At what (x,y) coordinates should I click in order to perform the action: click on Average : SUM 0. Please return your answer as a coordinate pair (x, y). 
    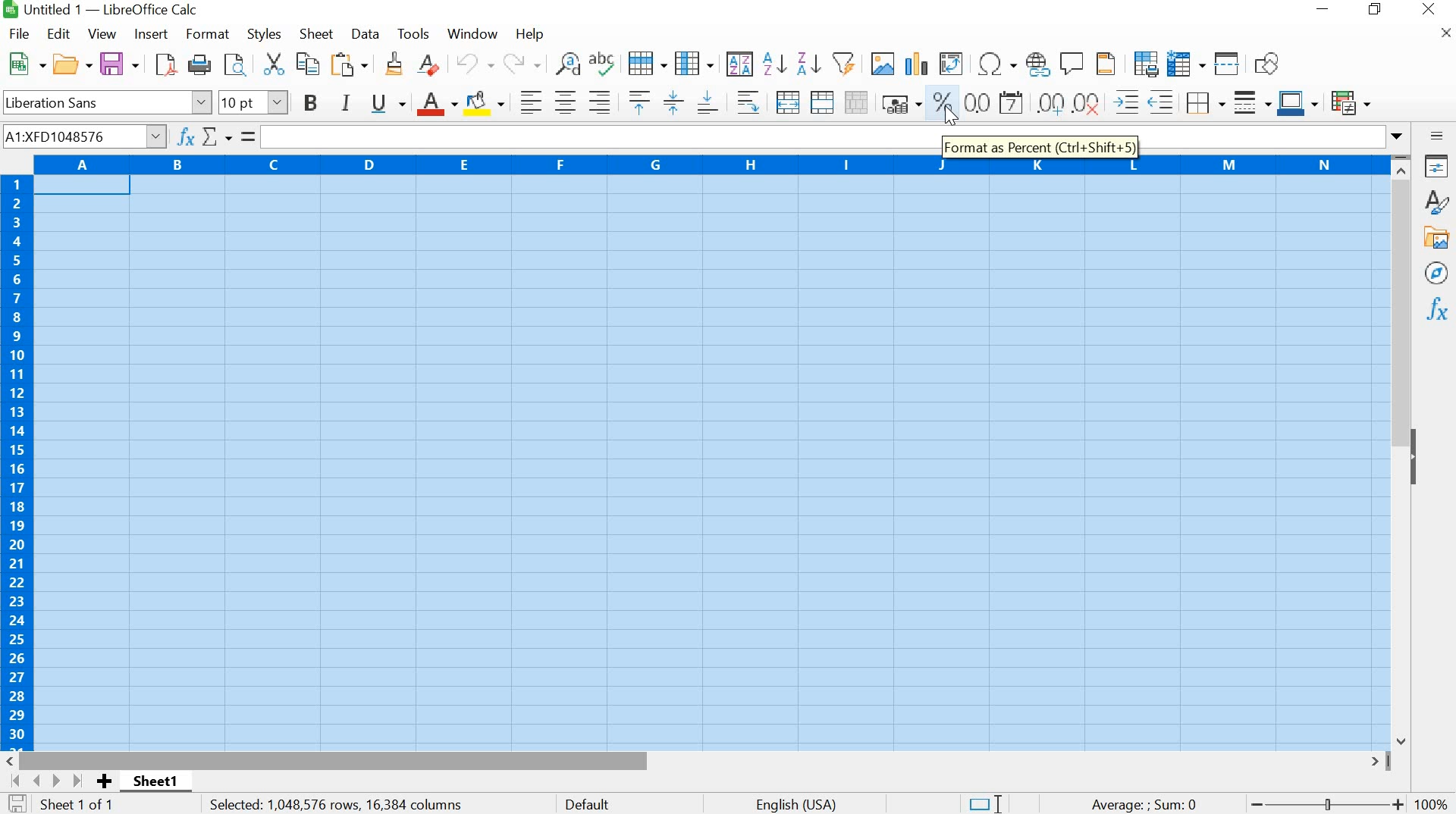
    Looking at the image, I should click on (1131, 803).